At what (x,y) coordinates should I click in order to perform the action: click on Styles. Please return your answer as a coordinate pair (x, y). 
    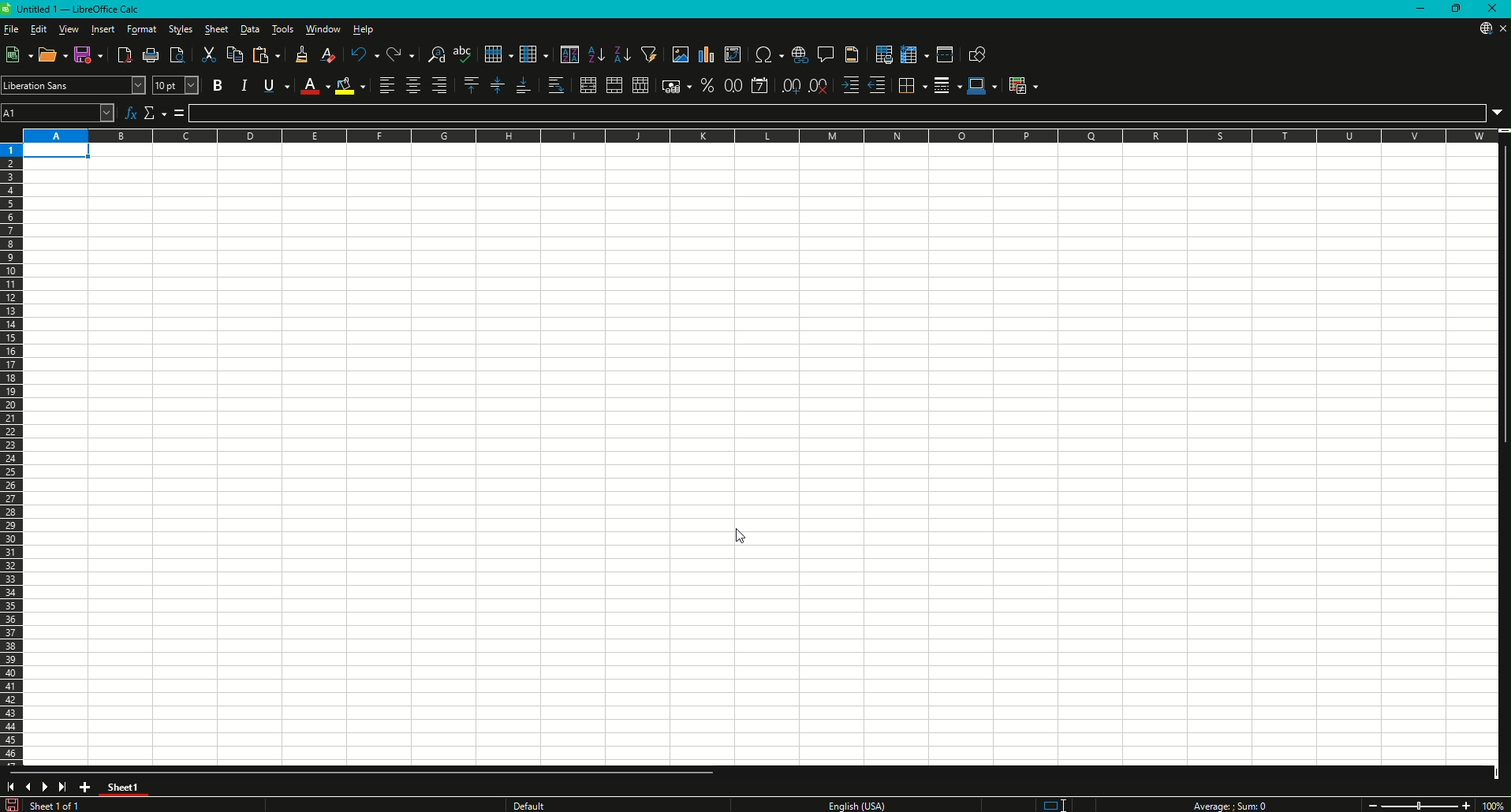
    Looking at the image, I should click on (181, 28).